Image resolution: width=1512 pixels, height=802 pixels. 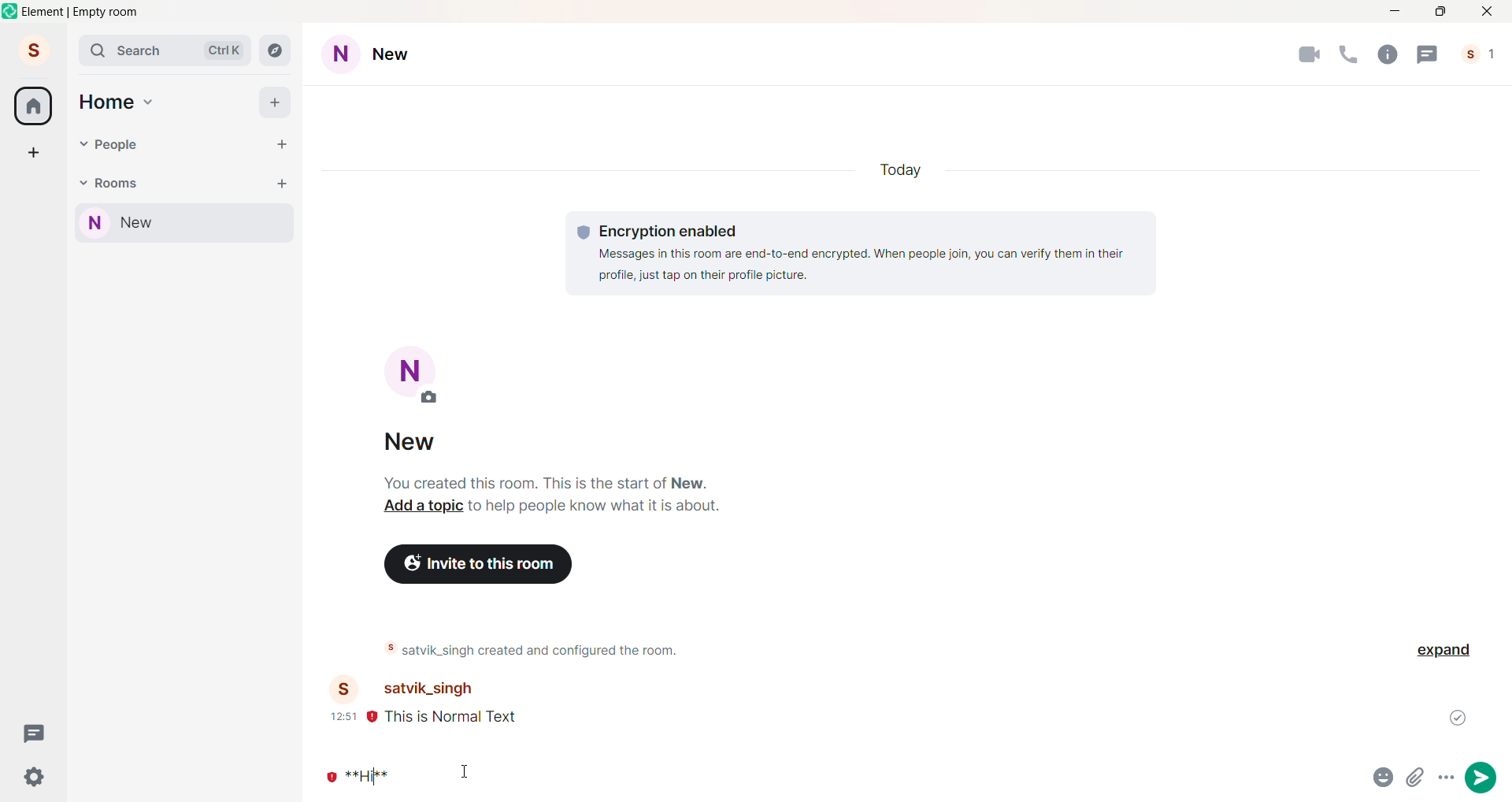 What do you see at coordinates (908, 171) in the screenshot?
I see `Today` at bounding box center [908, 171].